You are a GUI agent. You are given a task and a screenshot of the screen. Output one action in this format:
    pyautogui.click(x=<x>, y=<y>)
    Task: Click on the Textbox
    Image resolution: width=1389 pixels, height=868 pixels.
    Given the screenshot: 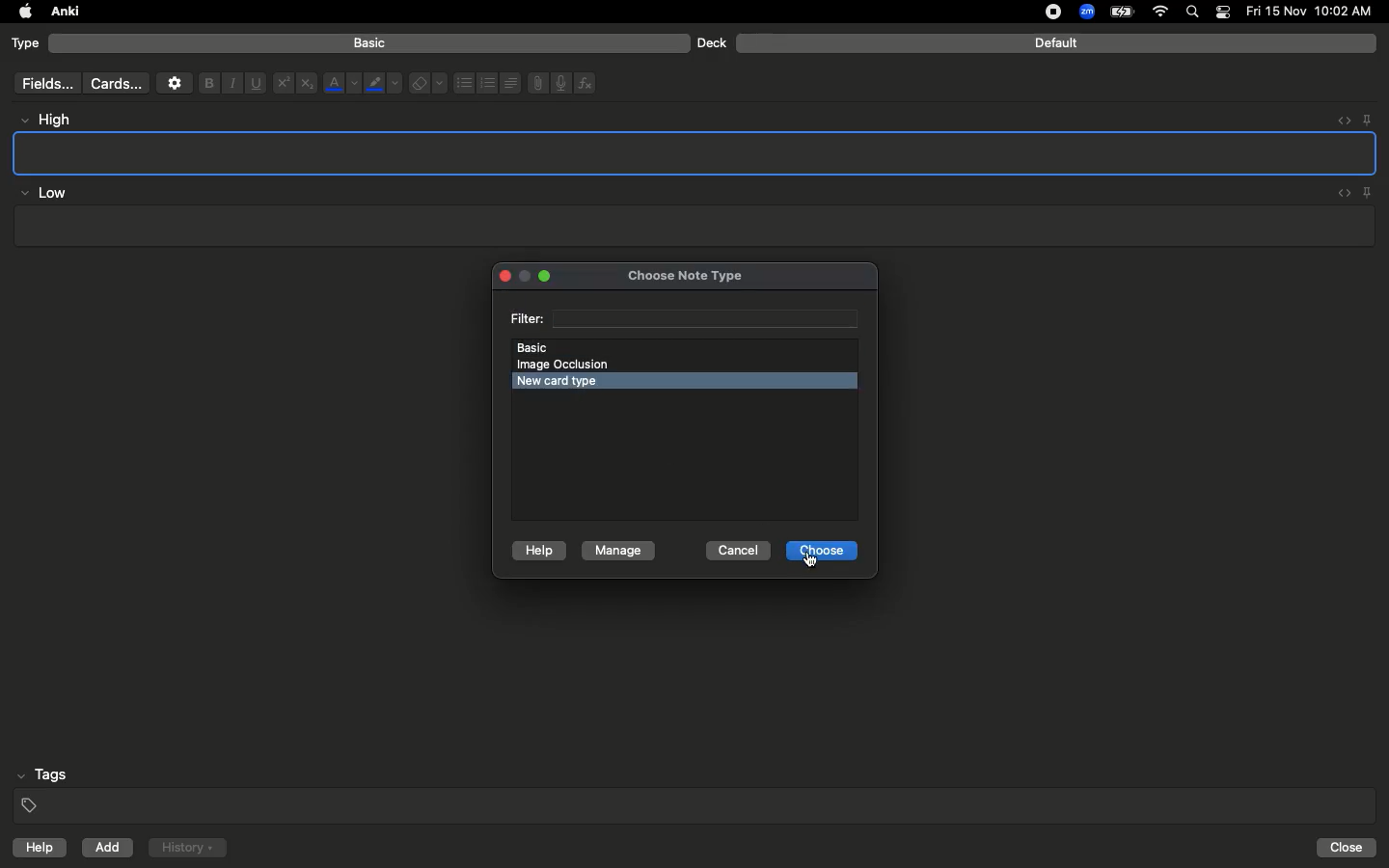 What is the action you would take?
    pyautogui.click(x=696, y=152)
    